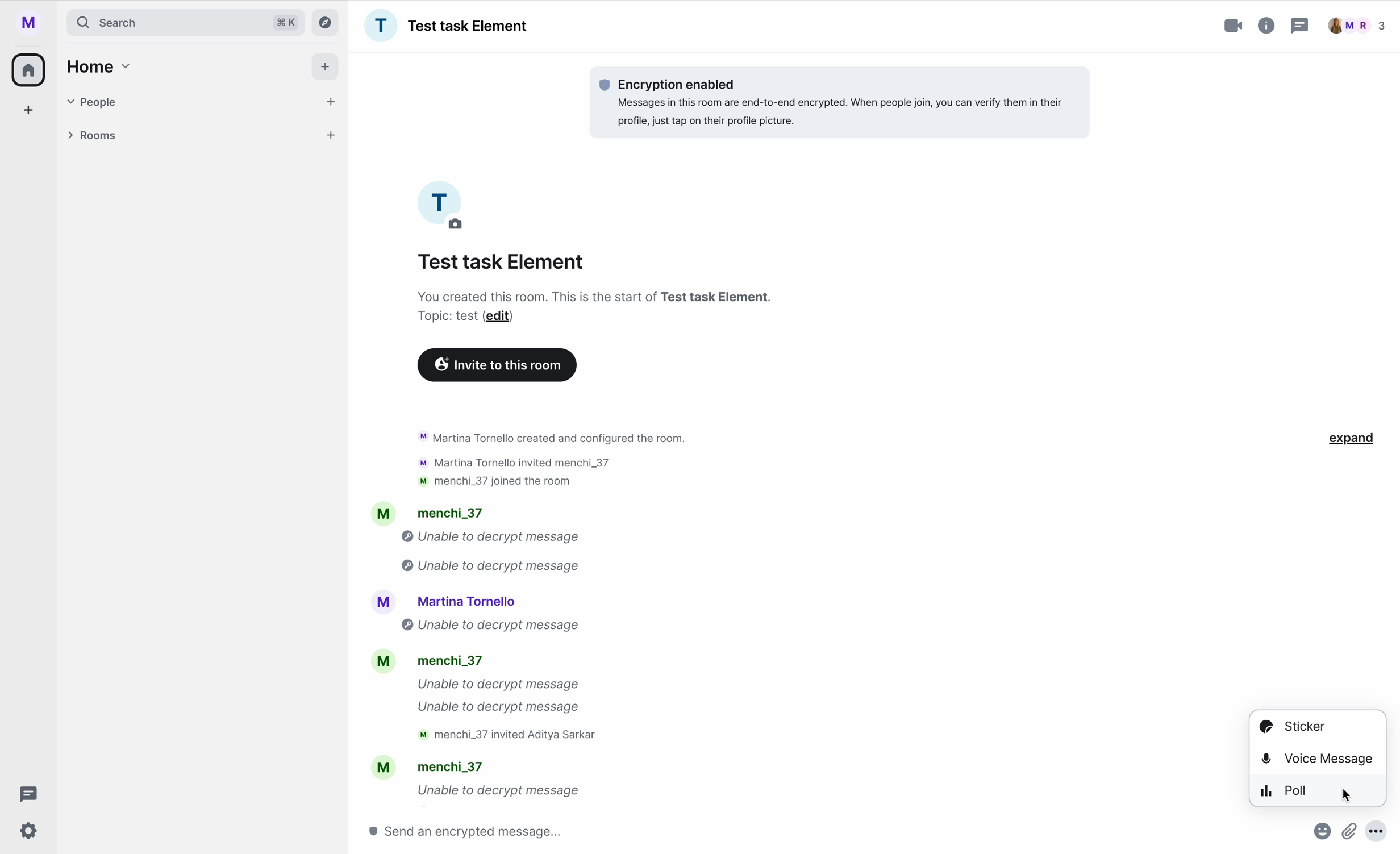  I want to click on home, so click(96, 66).